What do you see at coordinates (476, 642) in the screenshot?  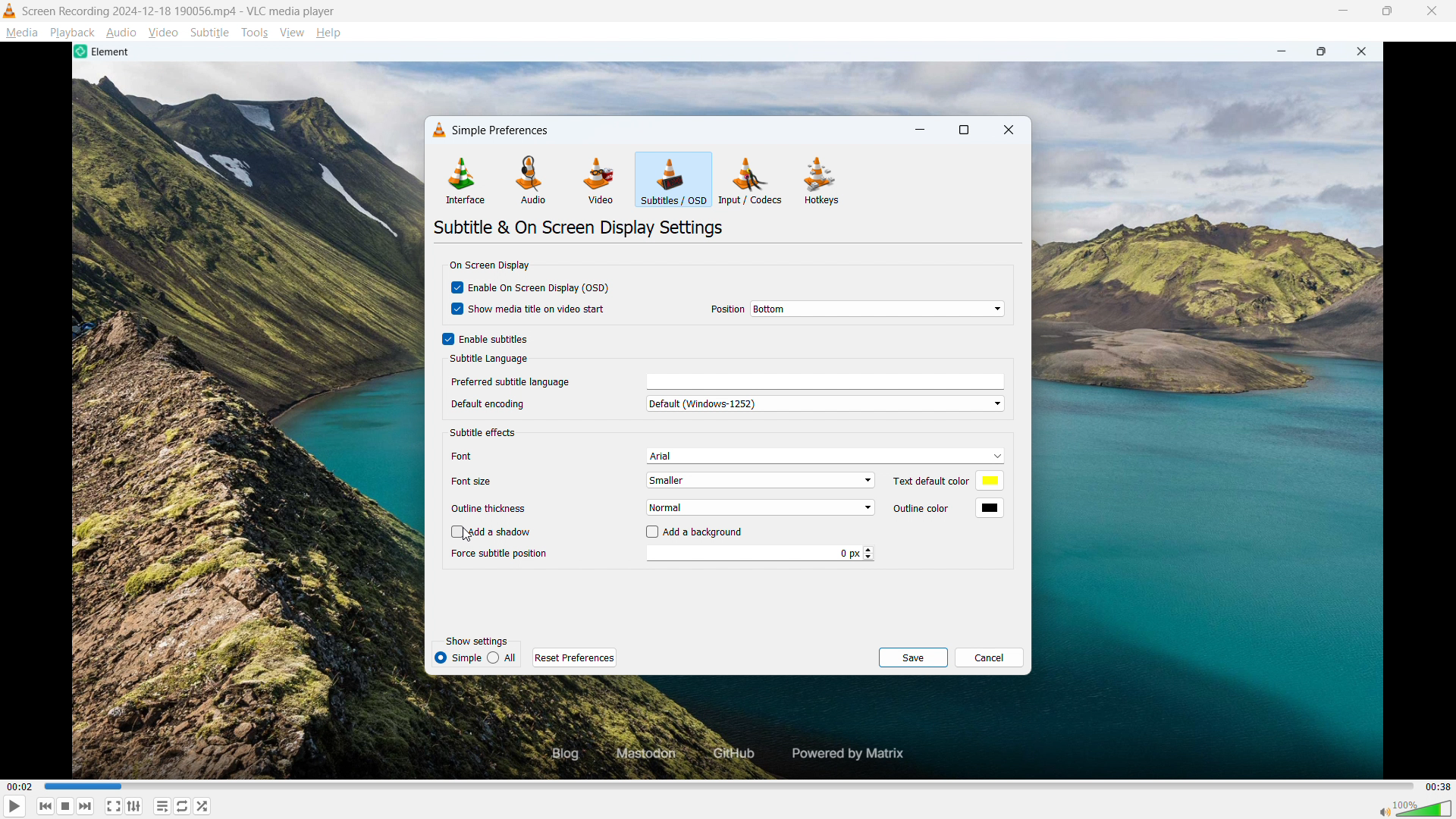 I see `Show settings ` at bounding box center [476, 642].